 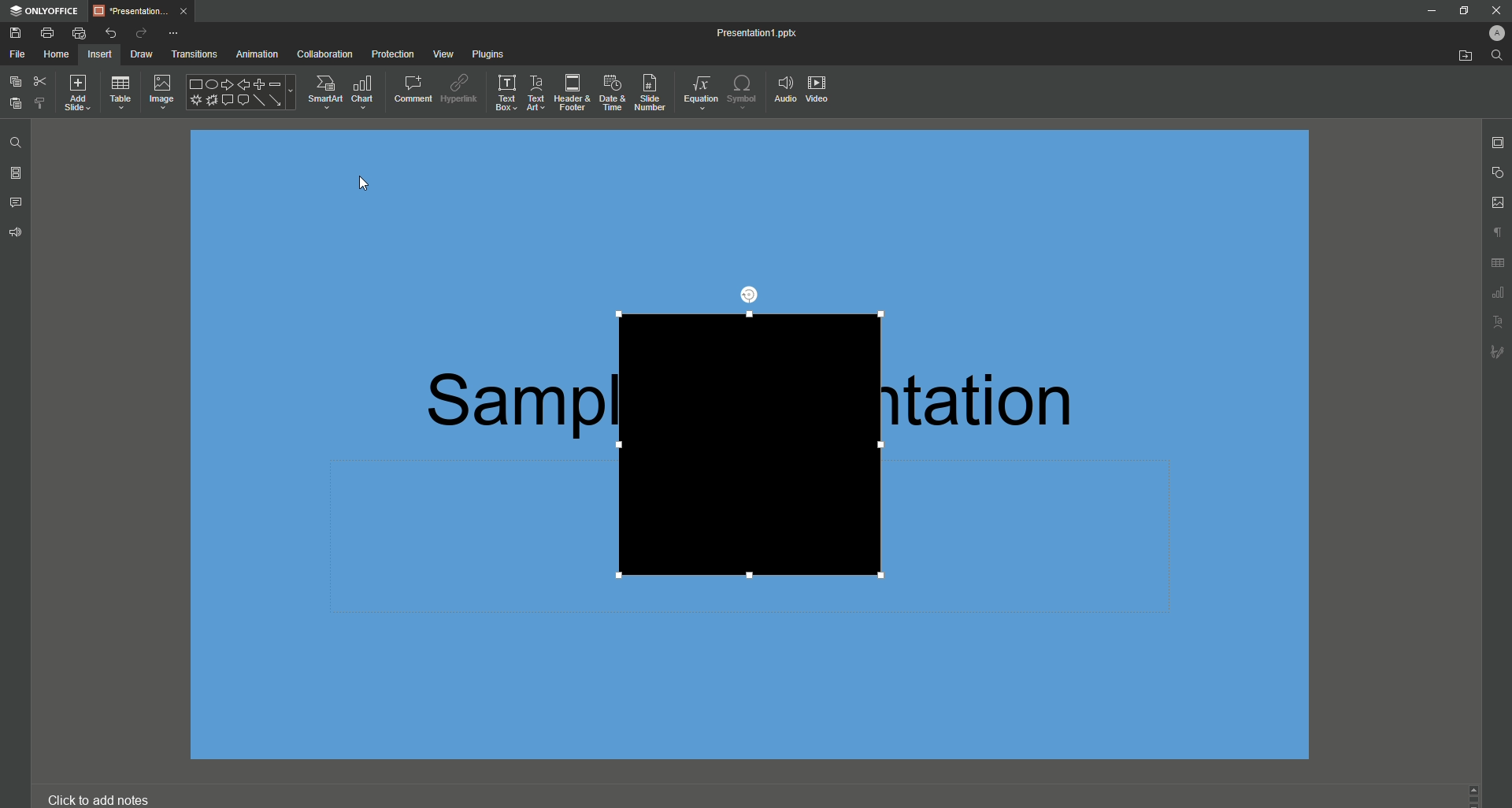 I want to click on Comment, so click(x=408, y=87).